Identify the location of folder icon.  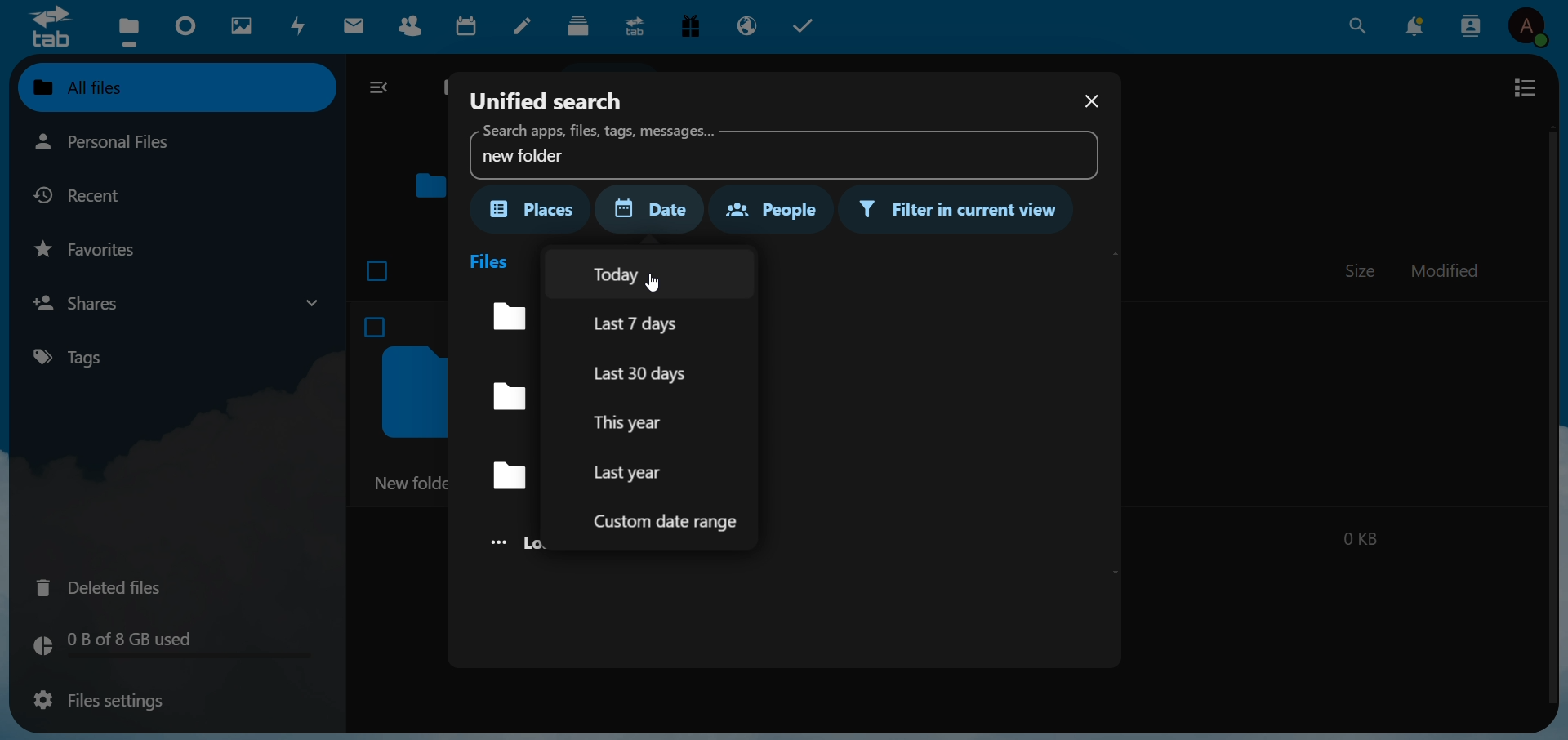
(430, 185).